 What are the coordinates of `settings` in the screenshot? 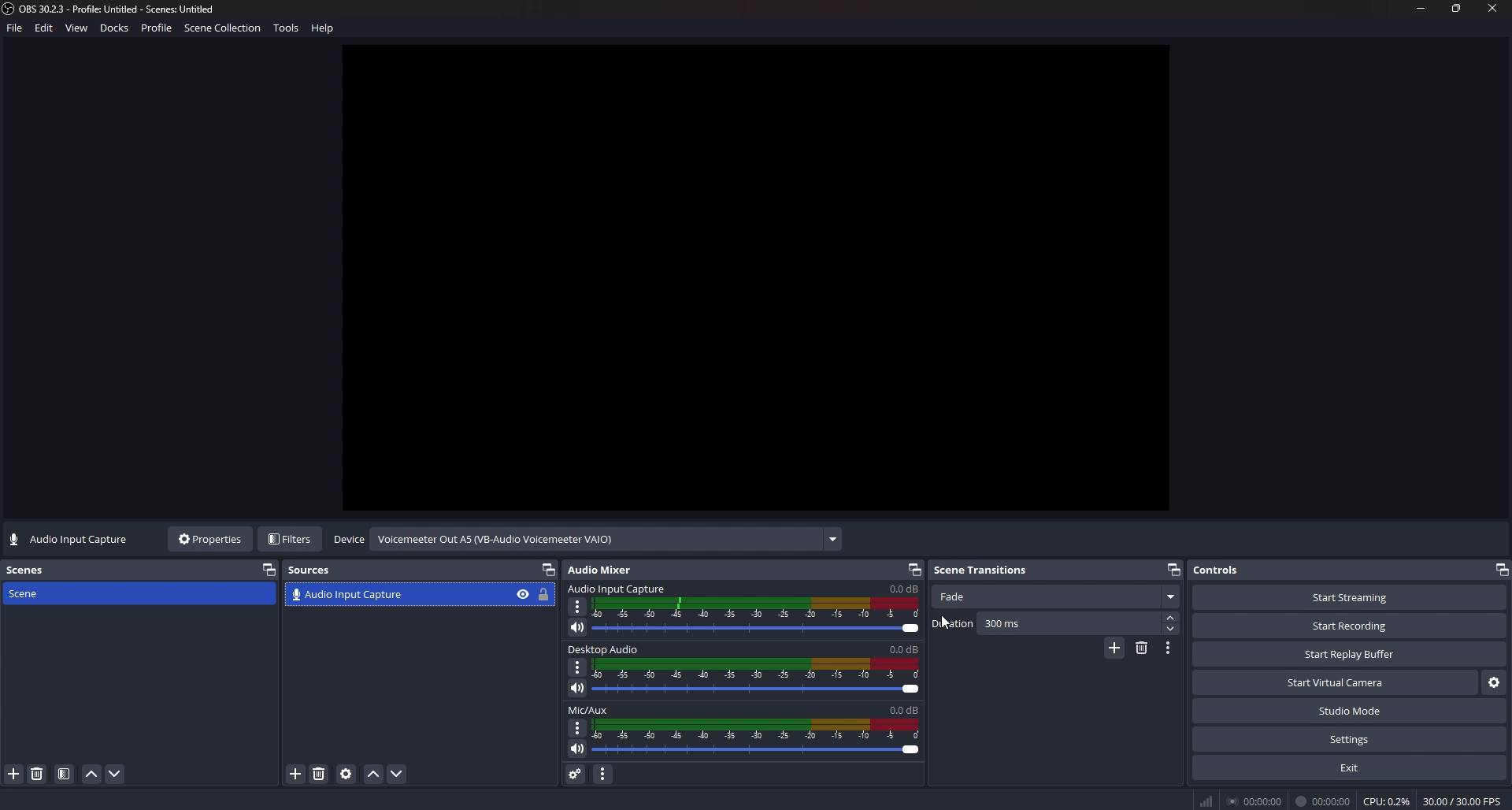 It's located at (1349, 740).